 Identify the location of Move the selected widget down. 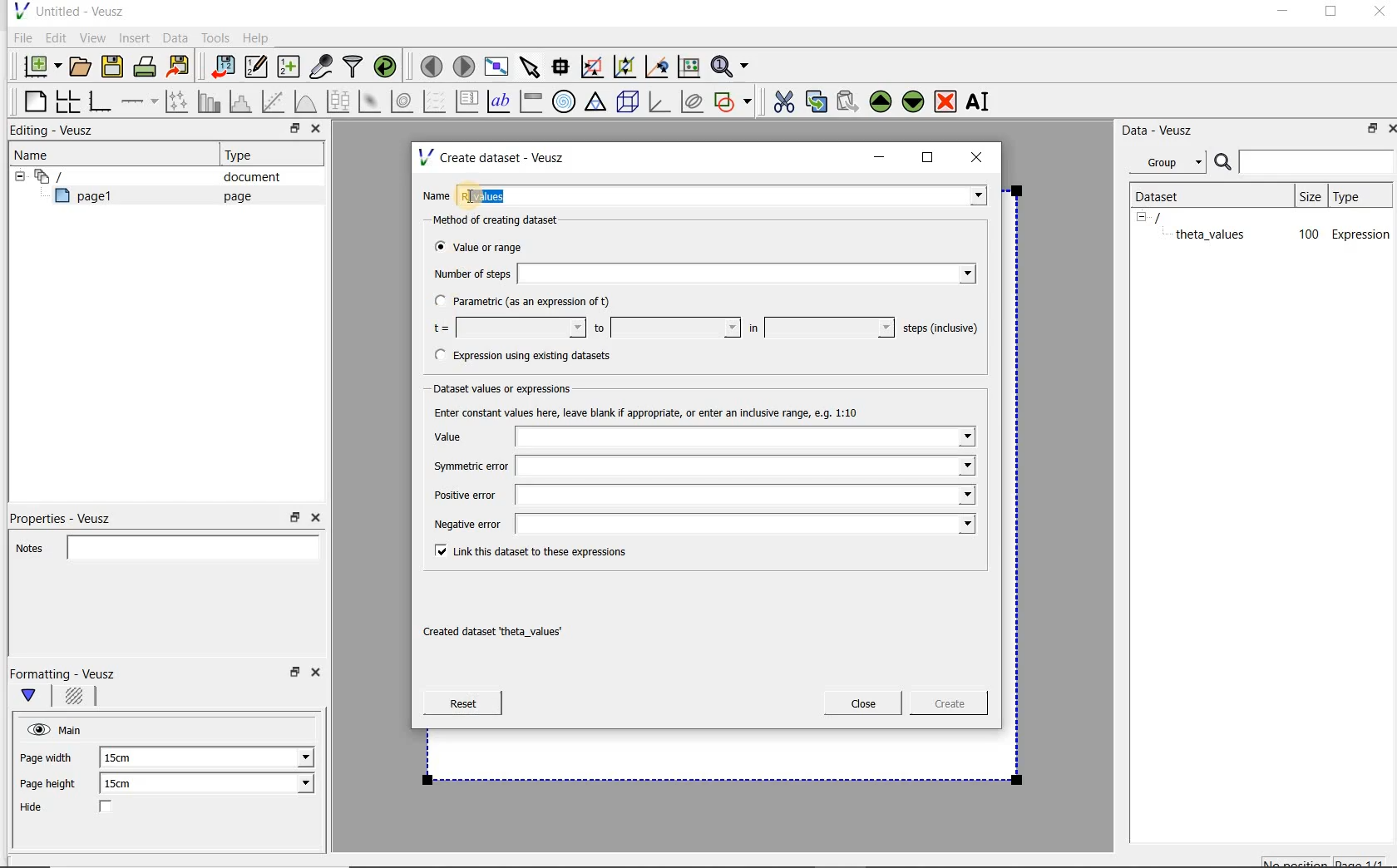
(914, 101).